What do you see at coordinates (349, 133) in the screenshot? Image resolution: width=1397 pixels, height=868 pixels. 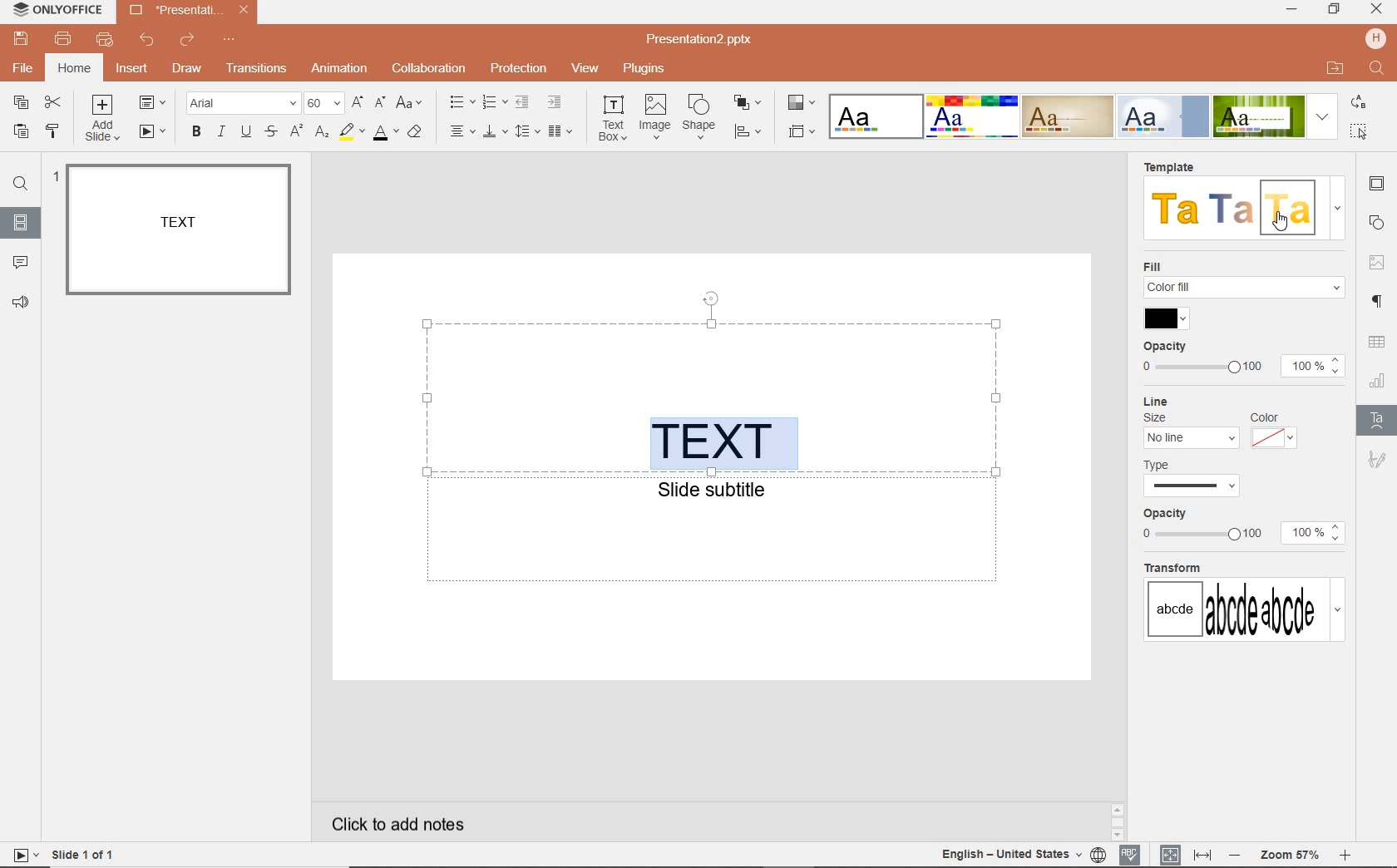 I see `HIGHLIGHT COLOR` at bounding box center [349, 133].